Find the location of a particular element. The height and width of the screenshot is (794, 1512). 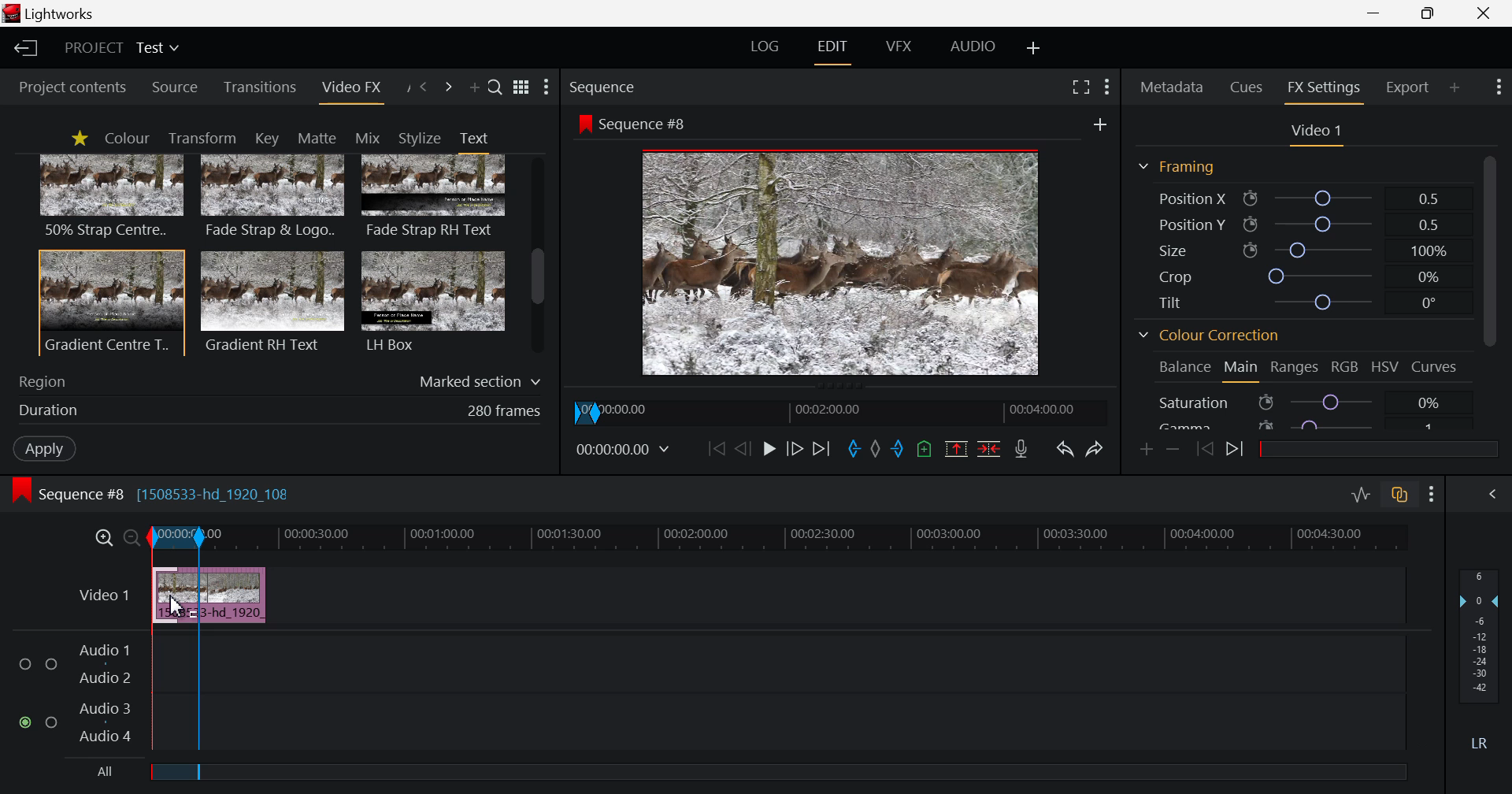

Project title is located at coordinates (124, 48).